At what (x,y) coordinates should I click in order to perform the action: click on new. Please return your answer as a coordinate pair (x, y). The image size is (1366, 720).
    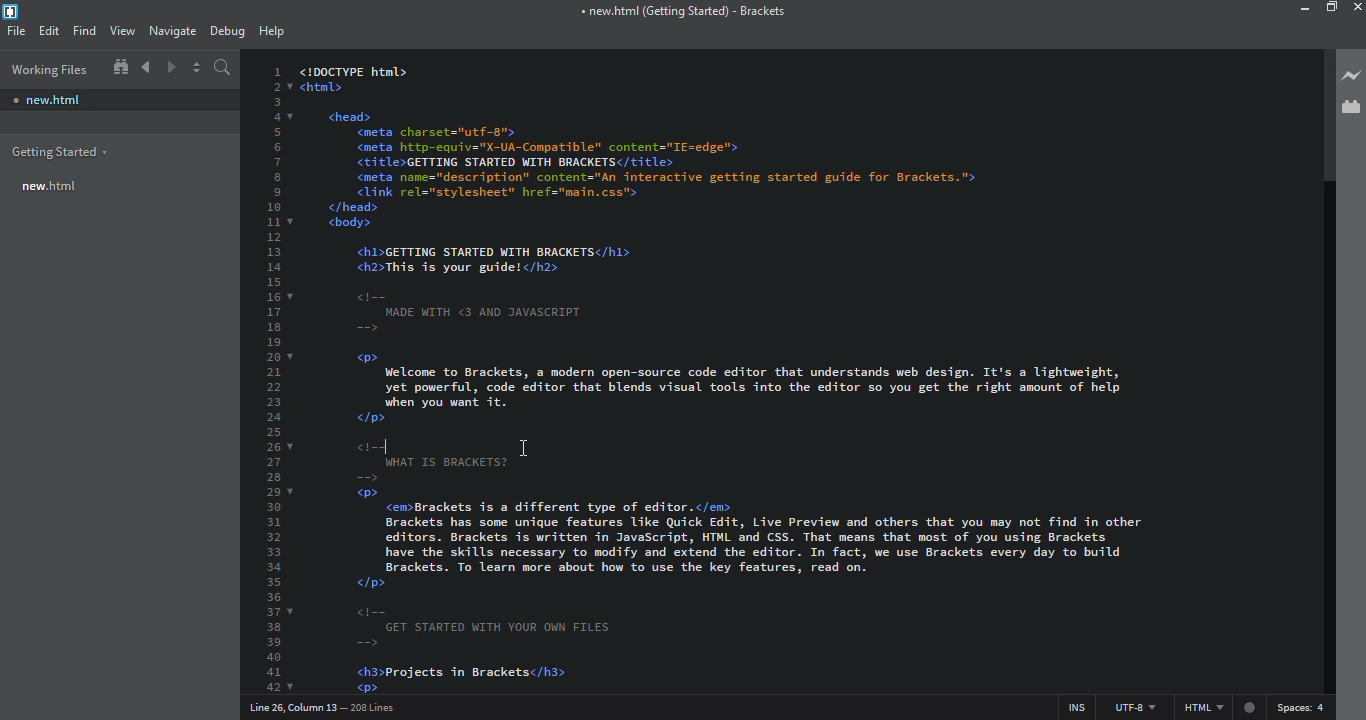
    Looking at the image, I should click on (48, 97).